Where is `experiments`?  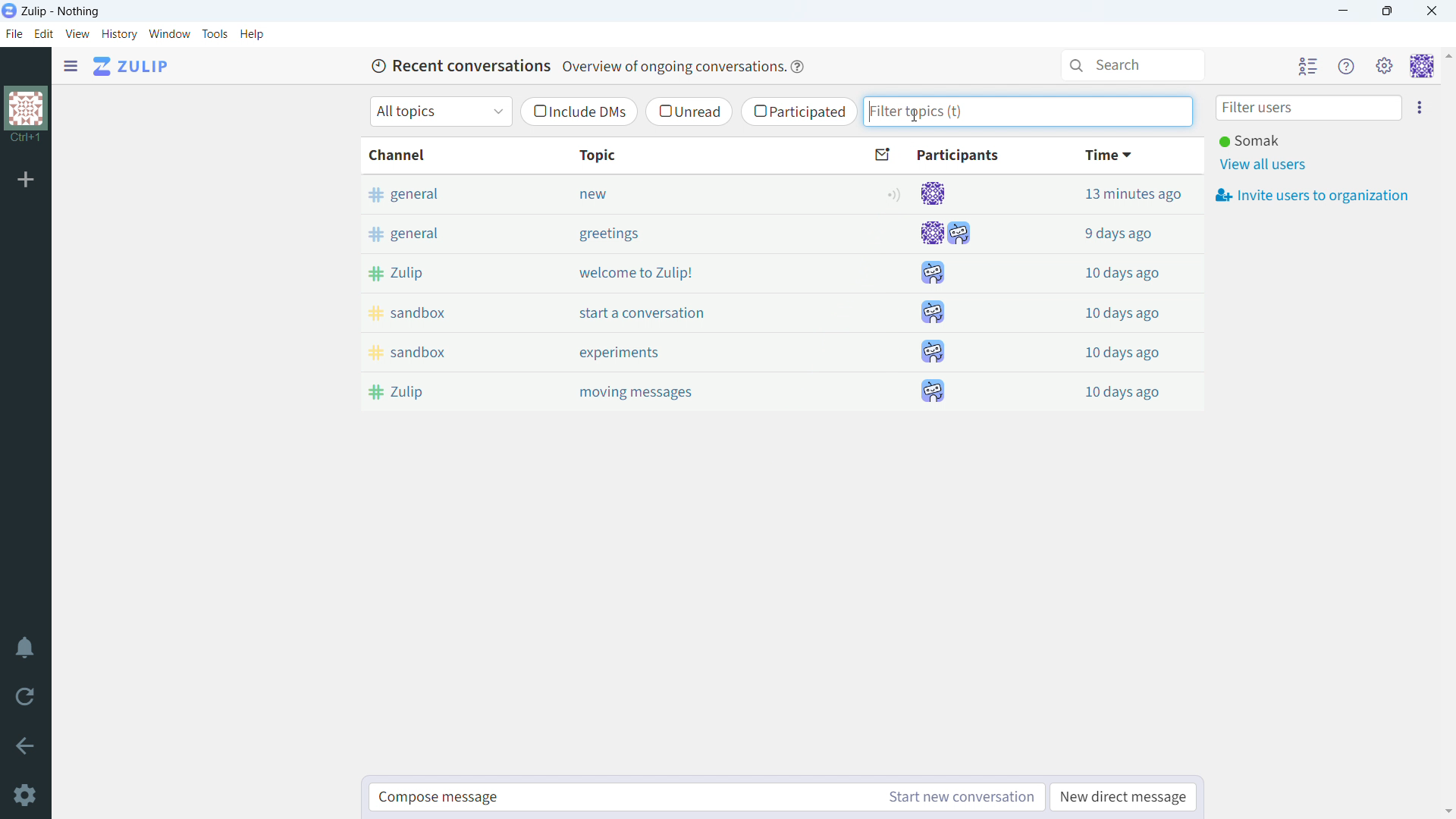
experiments is located at coordinates (696, 352).